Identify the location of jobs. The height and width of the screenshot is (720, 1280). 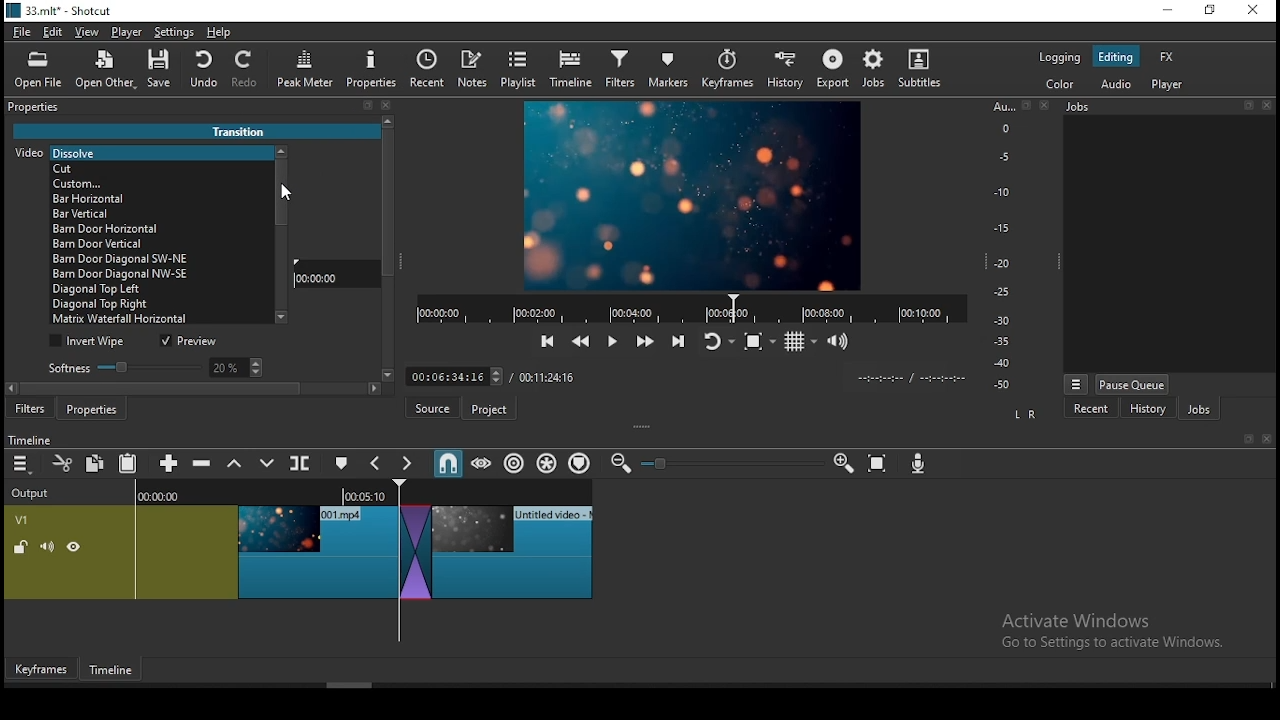
(874, 68).